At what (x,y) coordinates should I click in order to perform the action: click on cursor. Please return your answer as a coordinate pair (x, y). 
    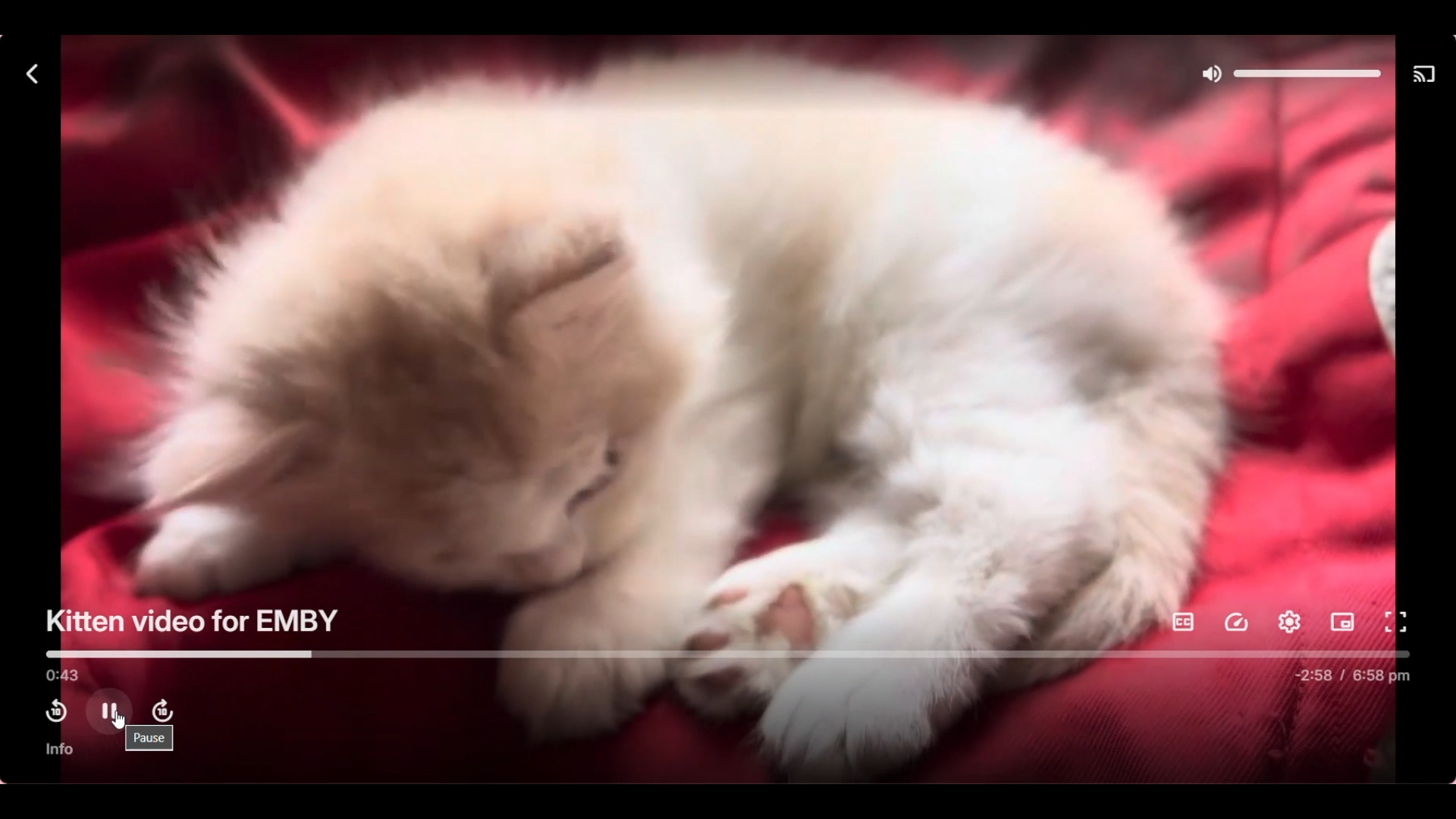
    Looking at the image, I should click on (120, 723).